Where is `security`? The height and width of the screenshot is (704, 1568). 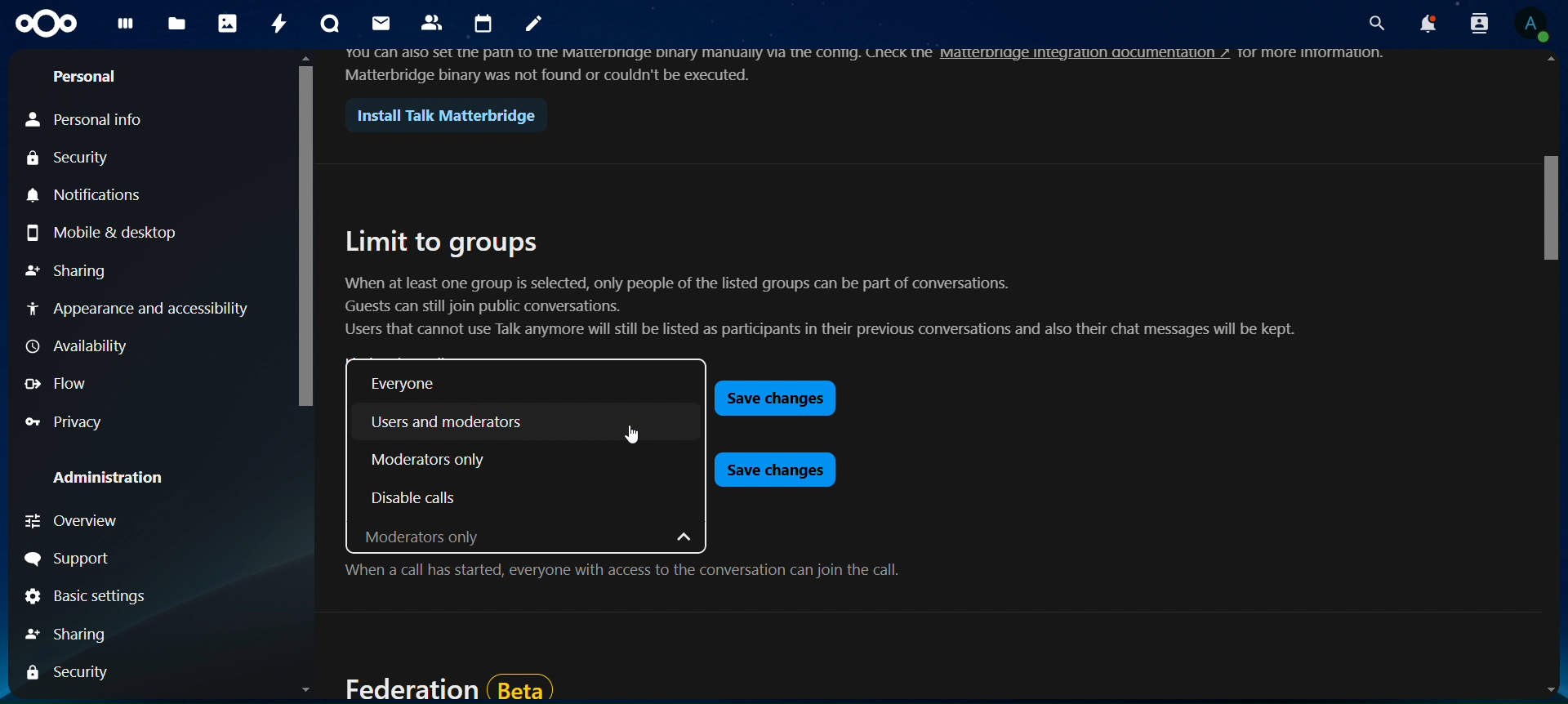 security is located at coordinates (71, 673).